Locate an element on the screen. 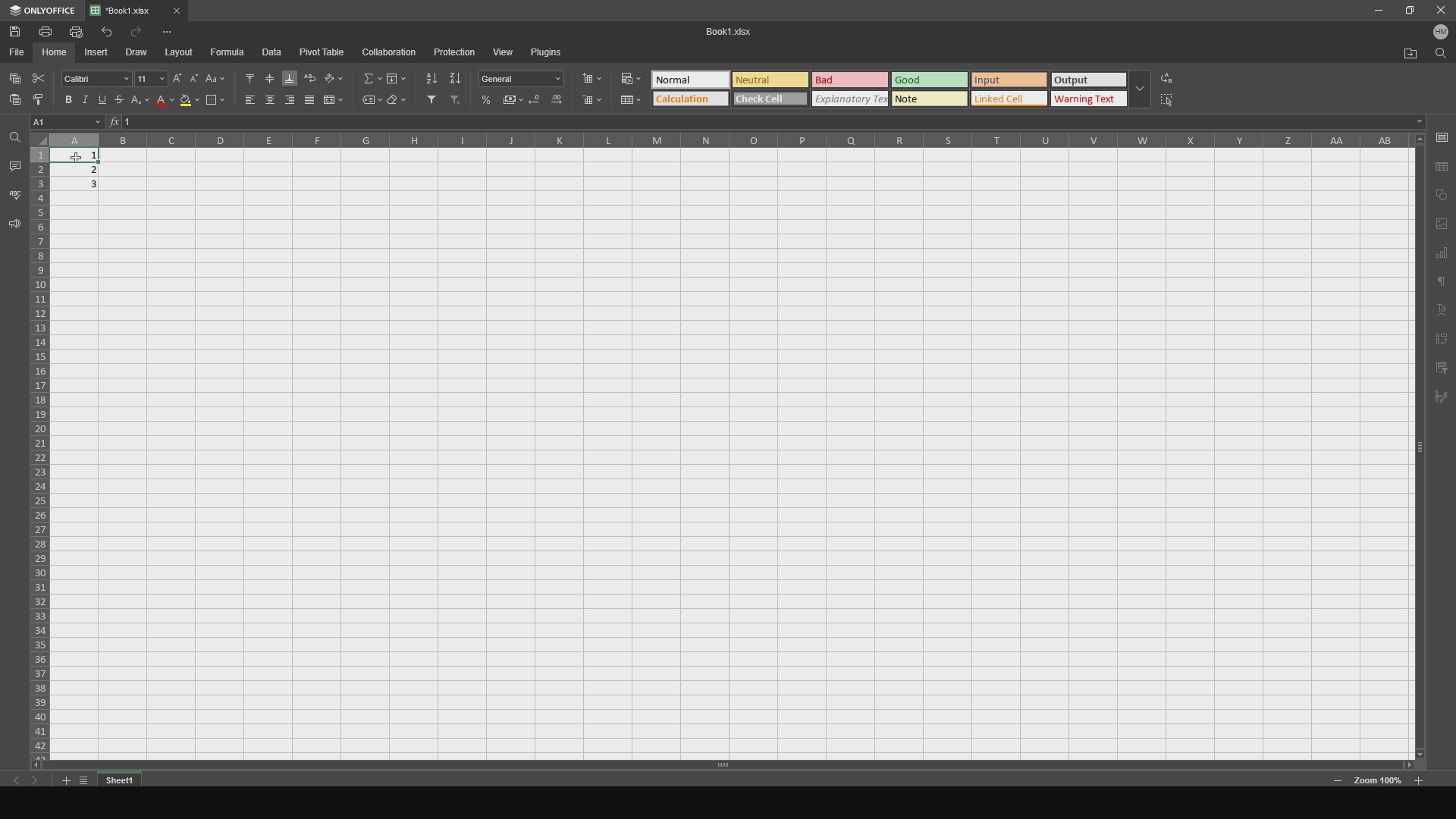 Image resolution: width=1456 pixels, height=819 pixels. paste is located at coordinates (12, 104).